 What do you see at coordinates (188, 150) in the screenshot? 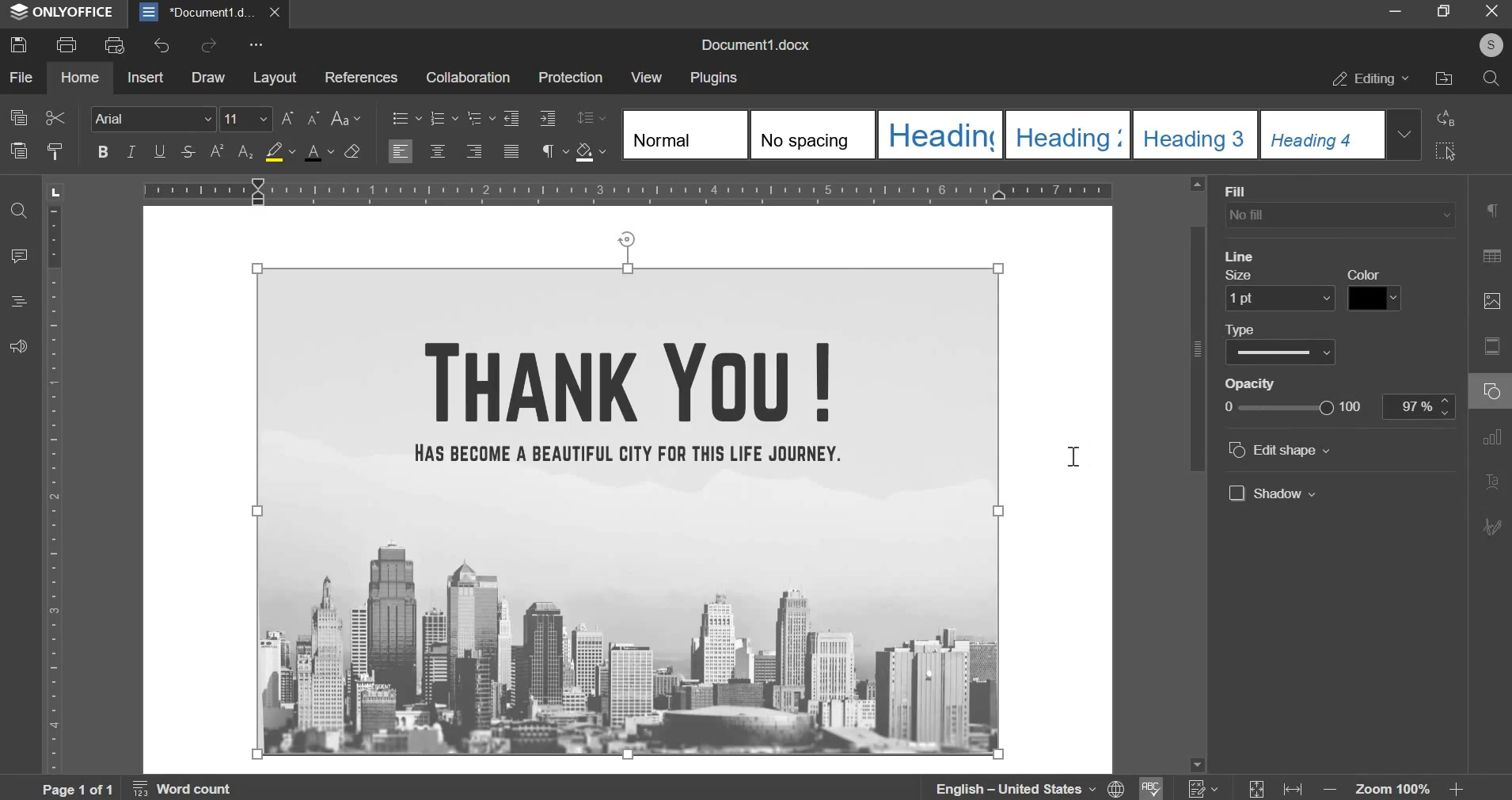
I see `strikethrough` at bounding box center [188, 150].